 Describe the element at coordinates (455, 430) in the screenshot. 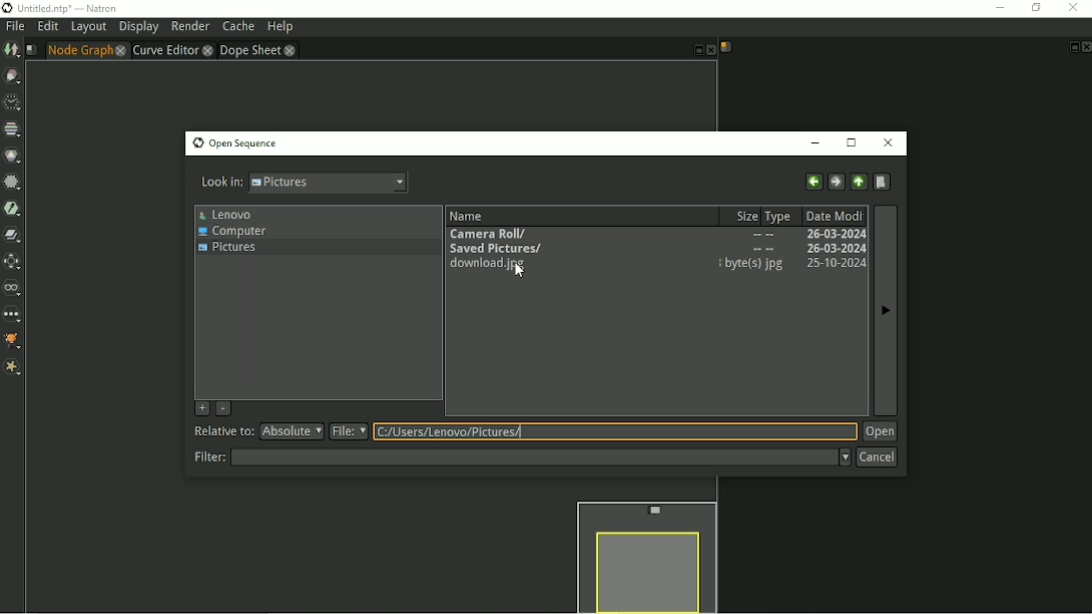

I see `L
C/Users/Lenovo/Pictures/` at that location.